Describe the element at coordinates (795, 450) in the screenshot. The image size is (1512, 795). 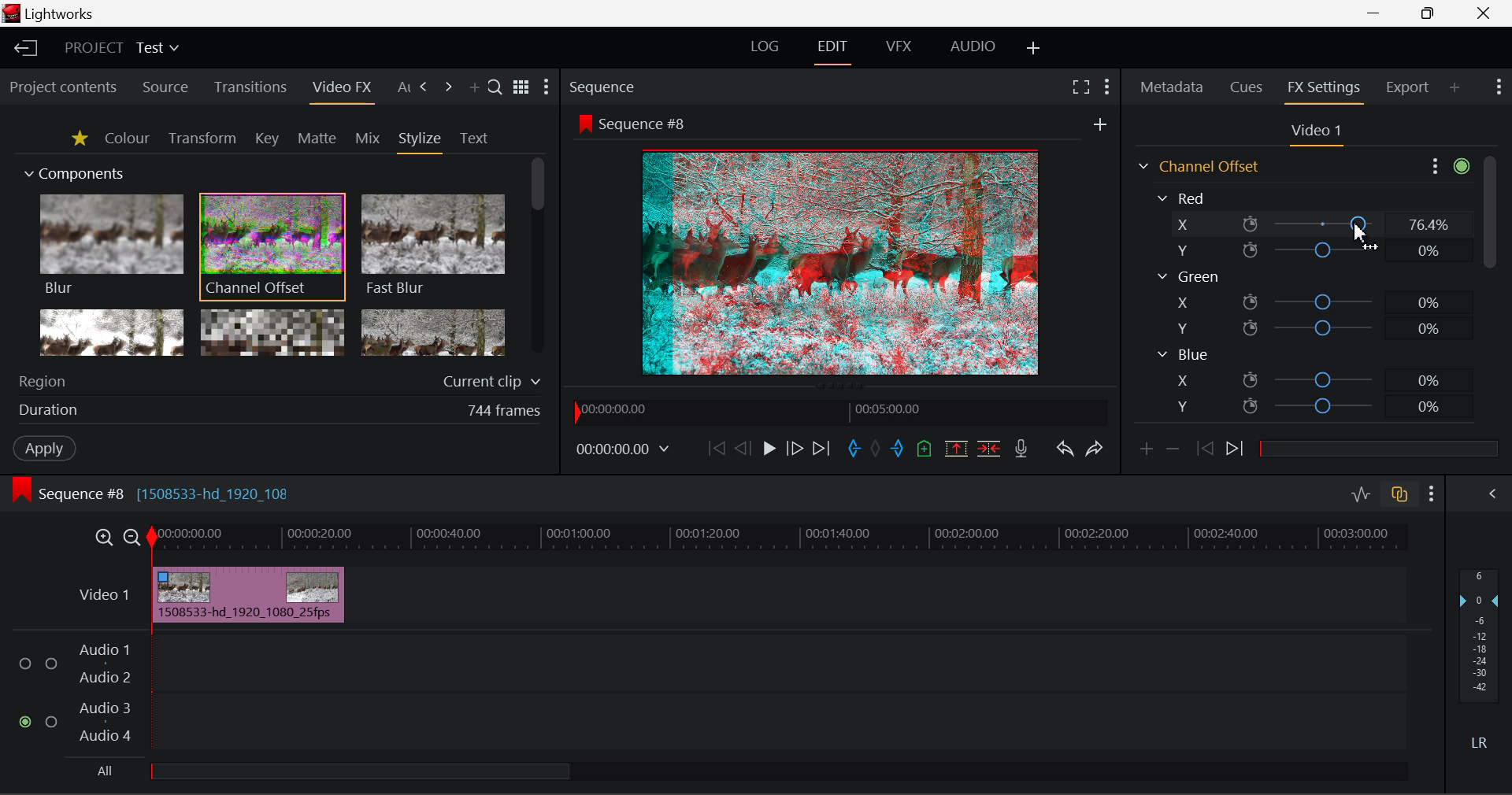
I see `Go Forward` at that location.